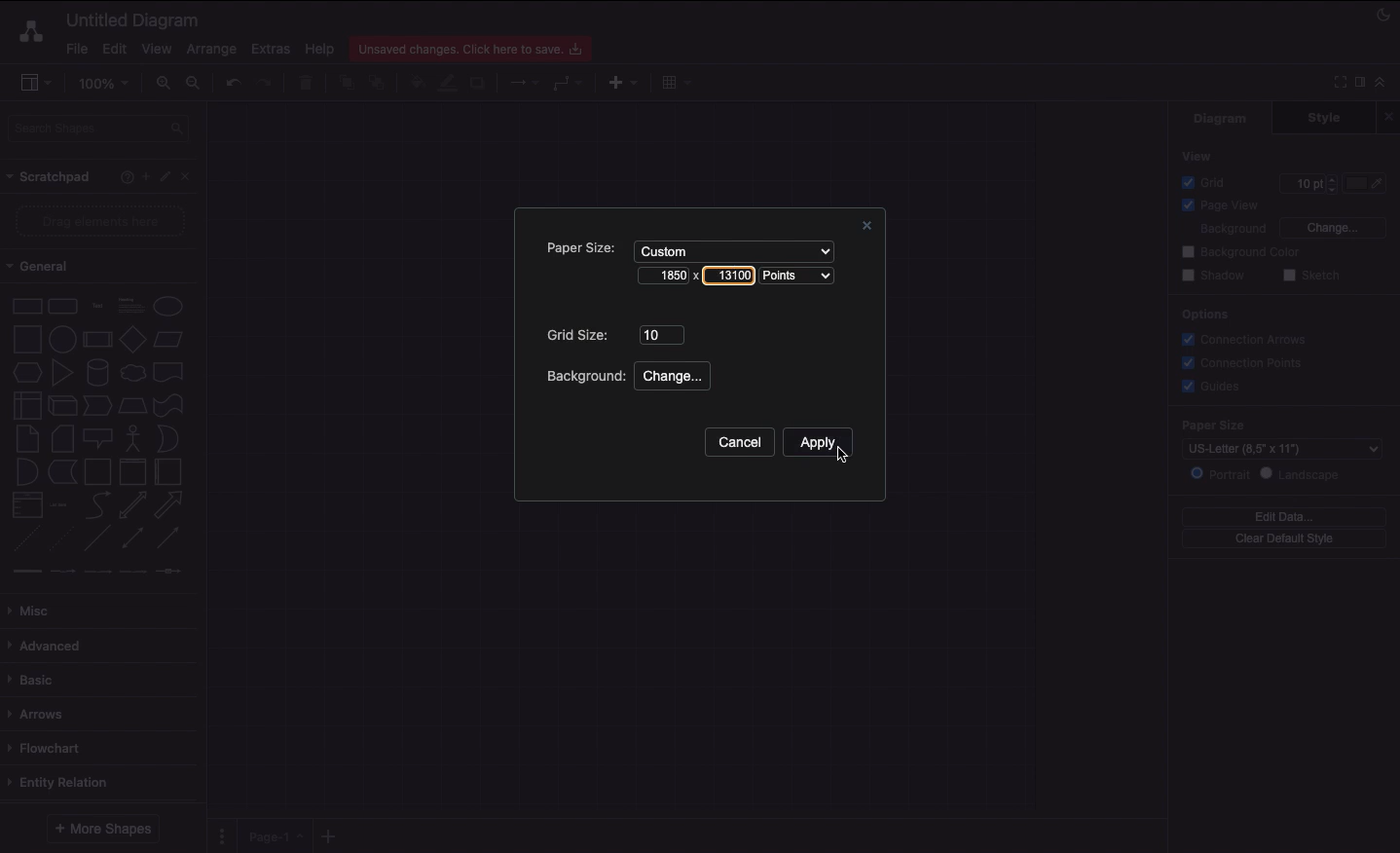  What do you see at coordinates (1217, 206) in the screenshot?
I see `Page view` at bounding box center [1217, 206].